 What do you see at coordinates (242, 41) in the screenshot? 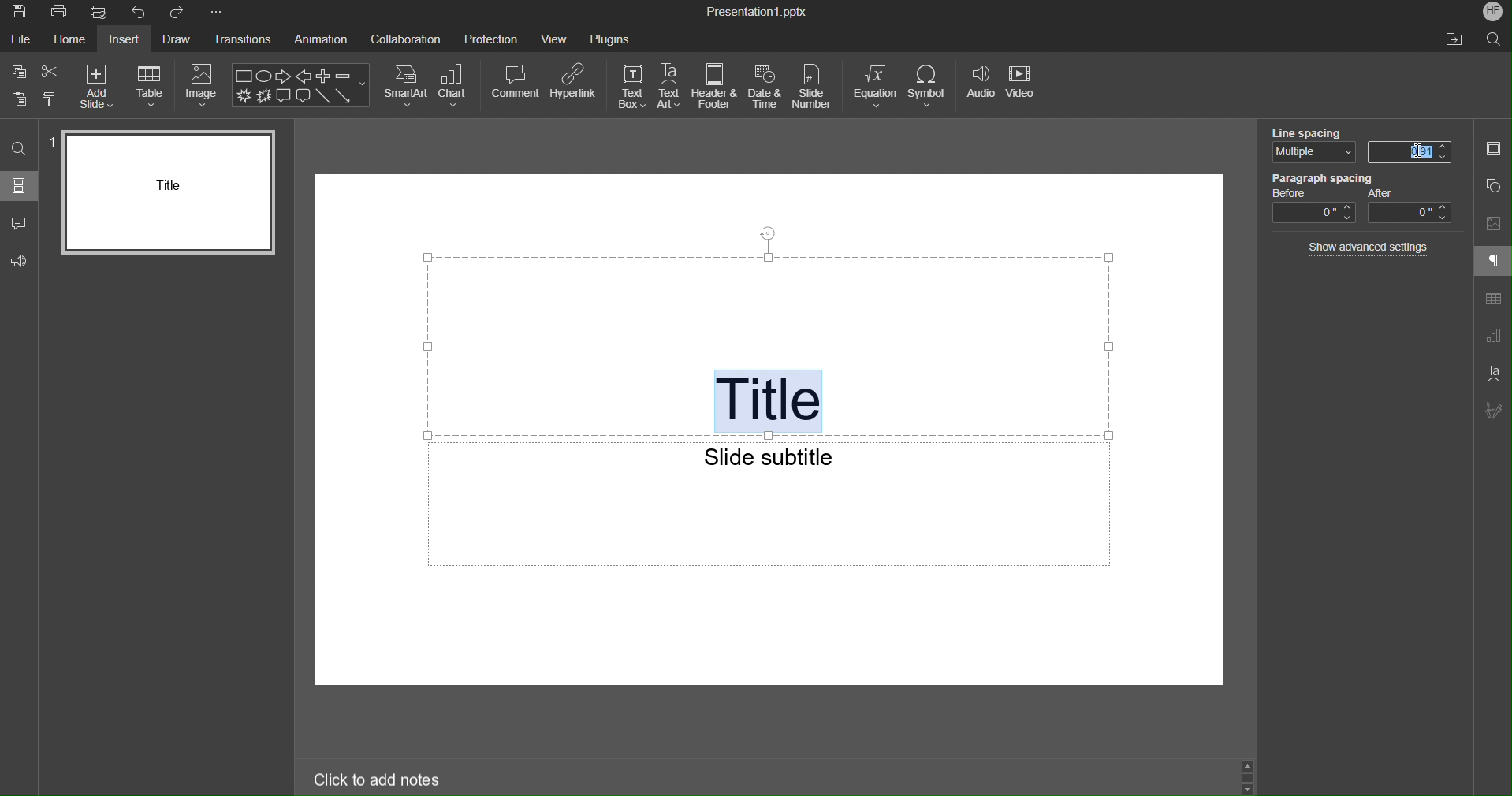
I see `Transitions` at bounding box center [242, 41].